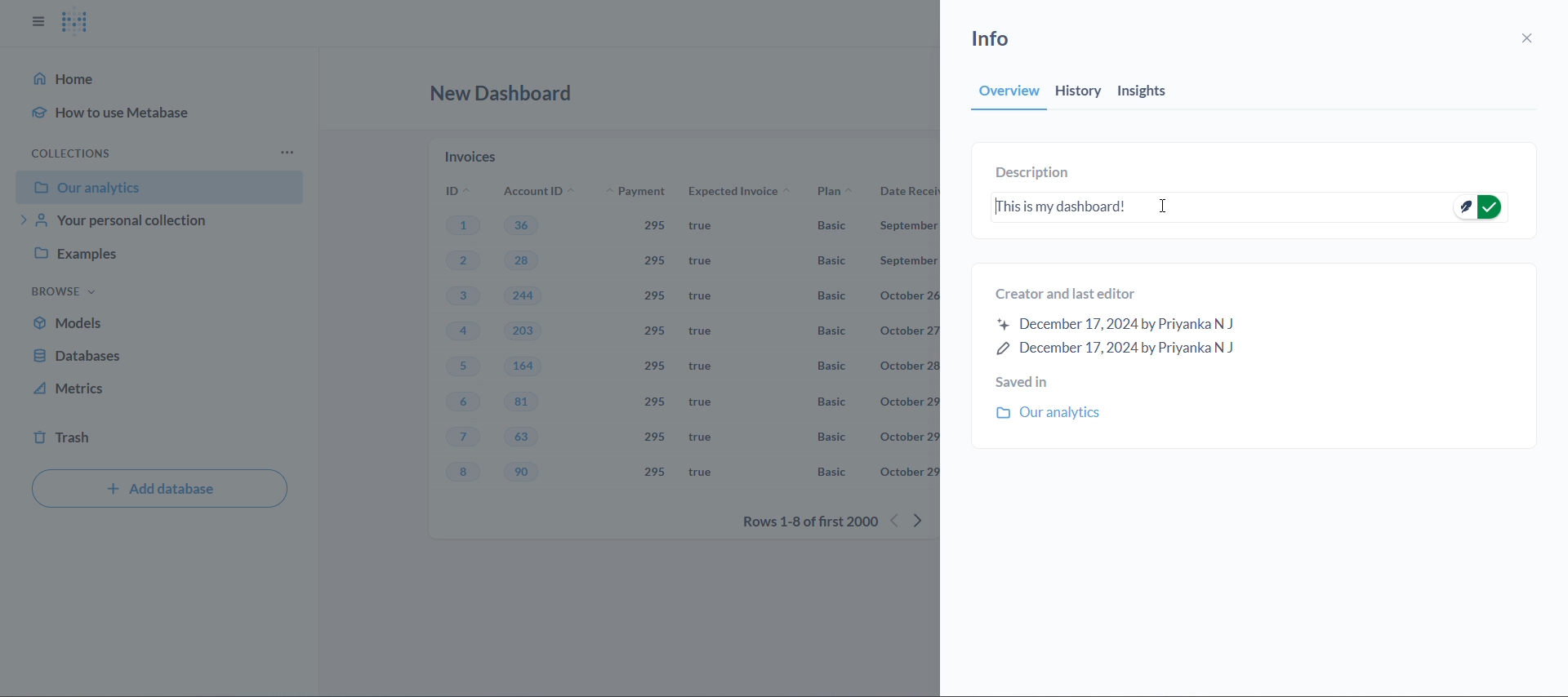 Image resolution: width=1568 pixels, height=697 pixels. What do you see at coordinates (905, 366) in the screenshot?
I see `october 28` at bounding box center [905, 366].